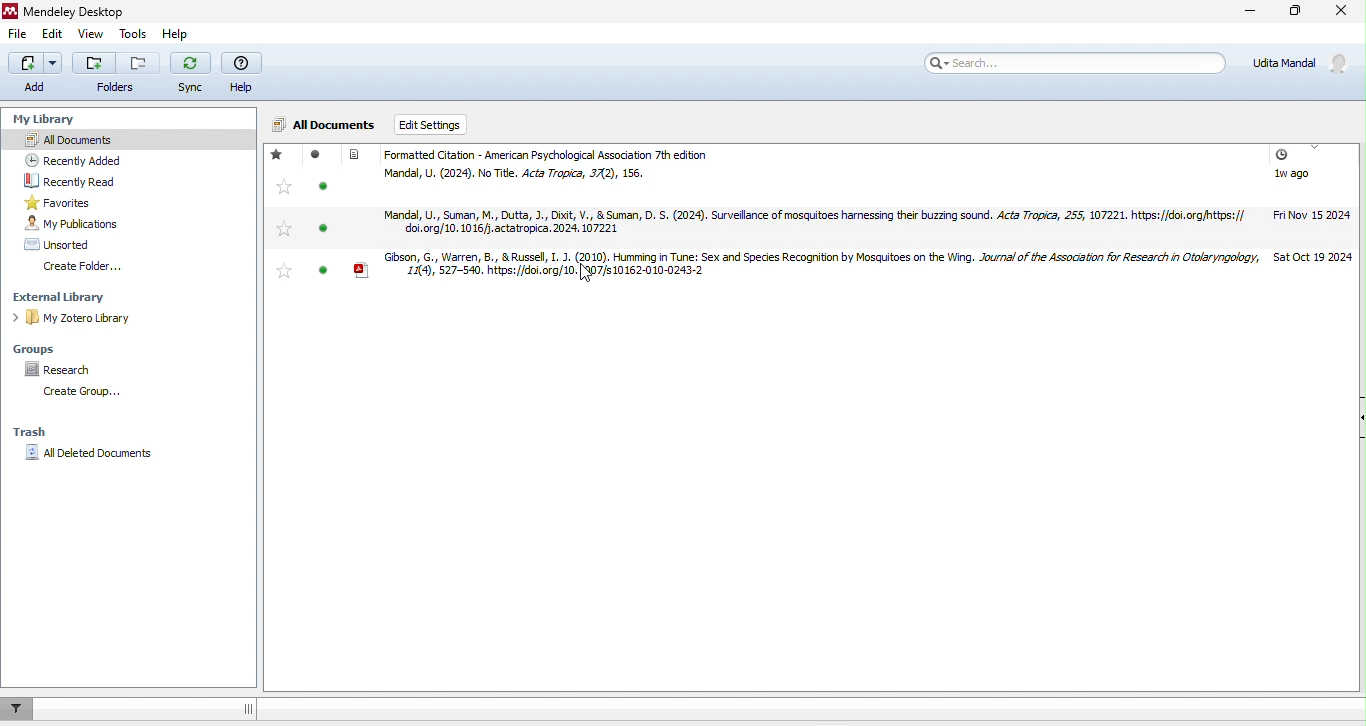 The height and width of the screenshot is (726, 1366). What do you see at coordinates (87, 394) in the screenshot?
I see `create group` at bounding box center [87, 394].